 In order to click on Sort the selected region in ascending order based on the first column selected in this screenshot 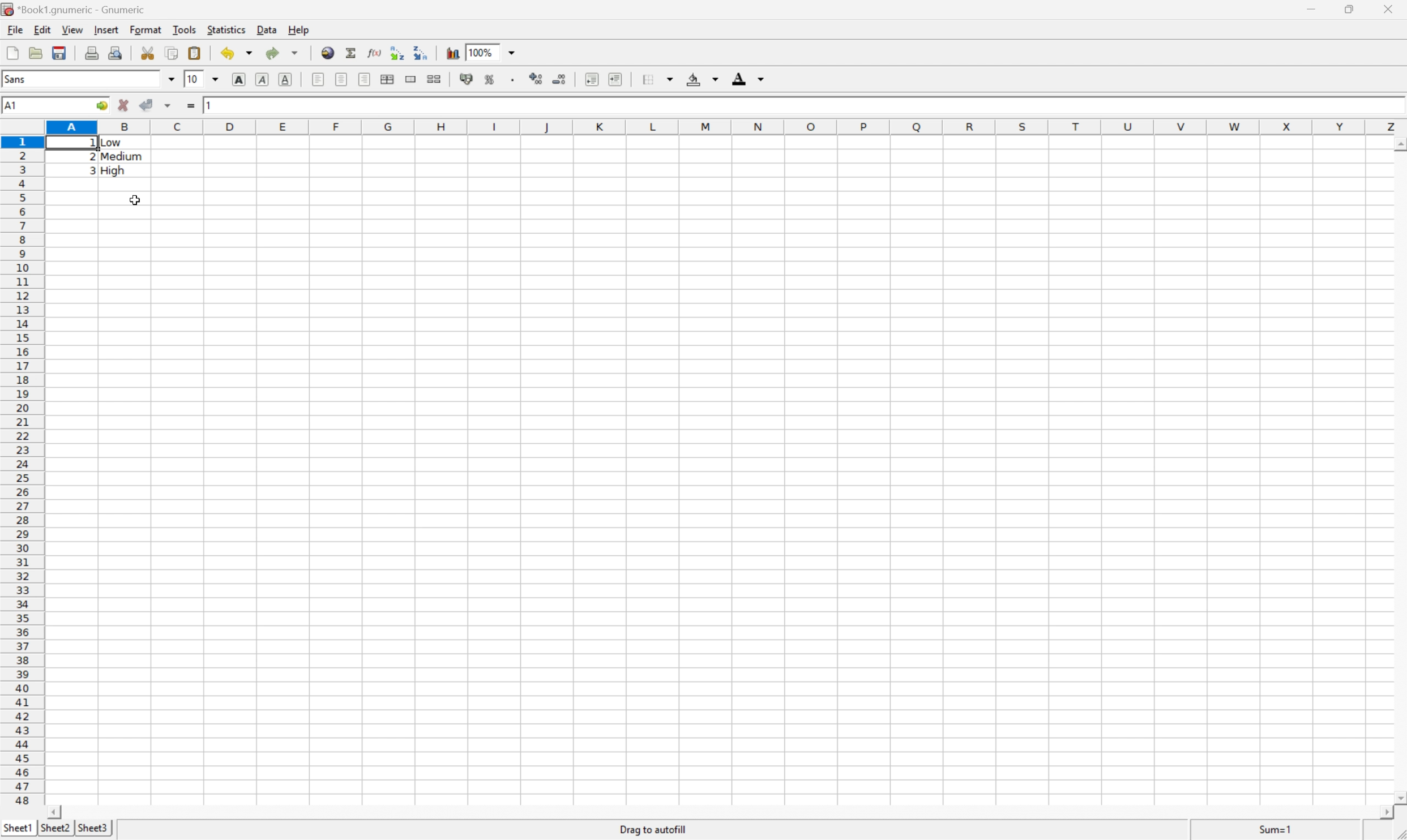, I will do `click(397, 53)`.